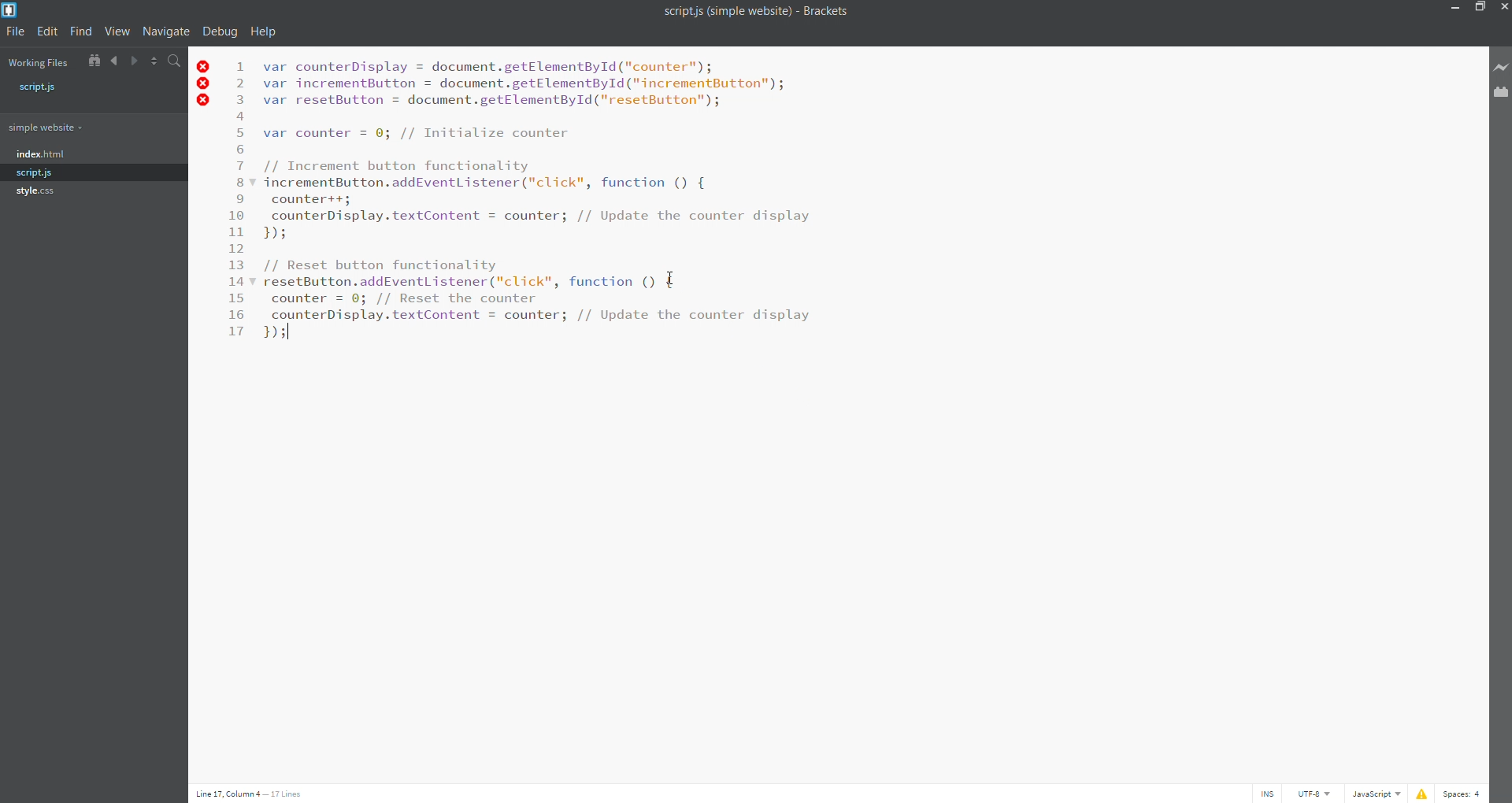 The height and width of the screenshot is (803, 1512). What do you see at coordinates (84, 128) in the screenshot?
I see `folder name` at bounding box center [84, 128].